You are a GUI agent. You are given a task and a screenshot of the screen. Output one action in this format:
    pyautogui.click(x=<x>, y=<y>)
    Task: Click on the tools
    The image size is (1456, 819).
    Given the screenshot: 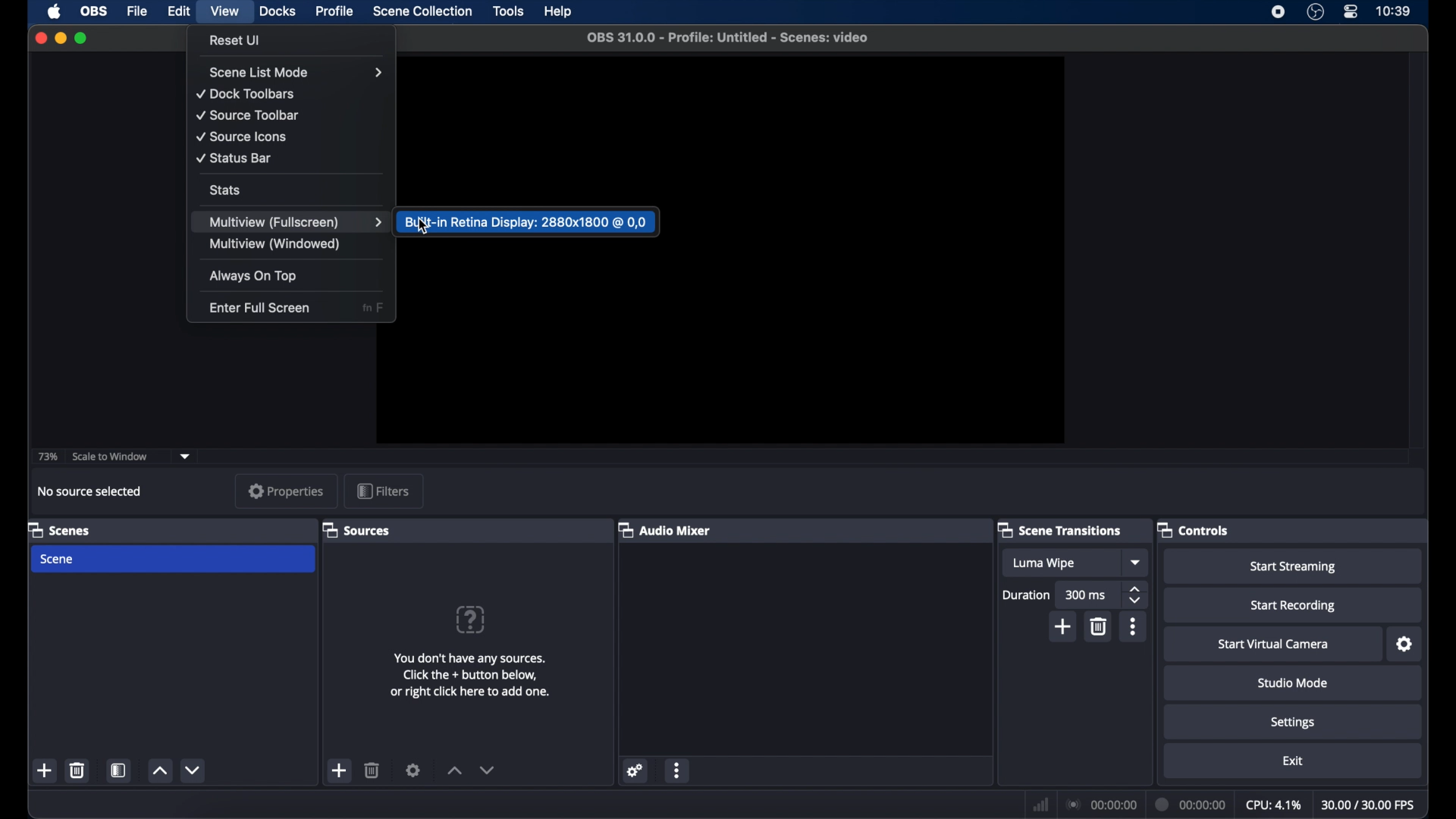 What is the action you would take?
    pyautogui.click(x=509, y=11)
    